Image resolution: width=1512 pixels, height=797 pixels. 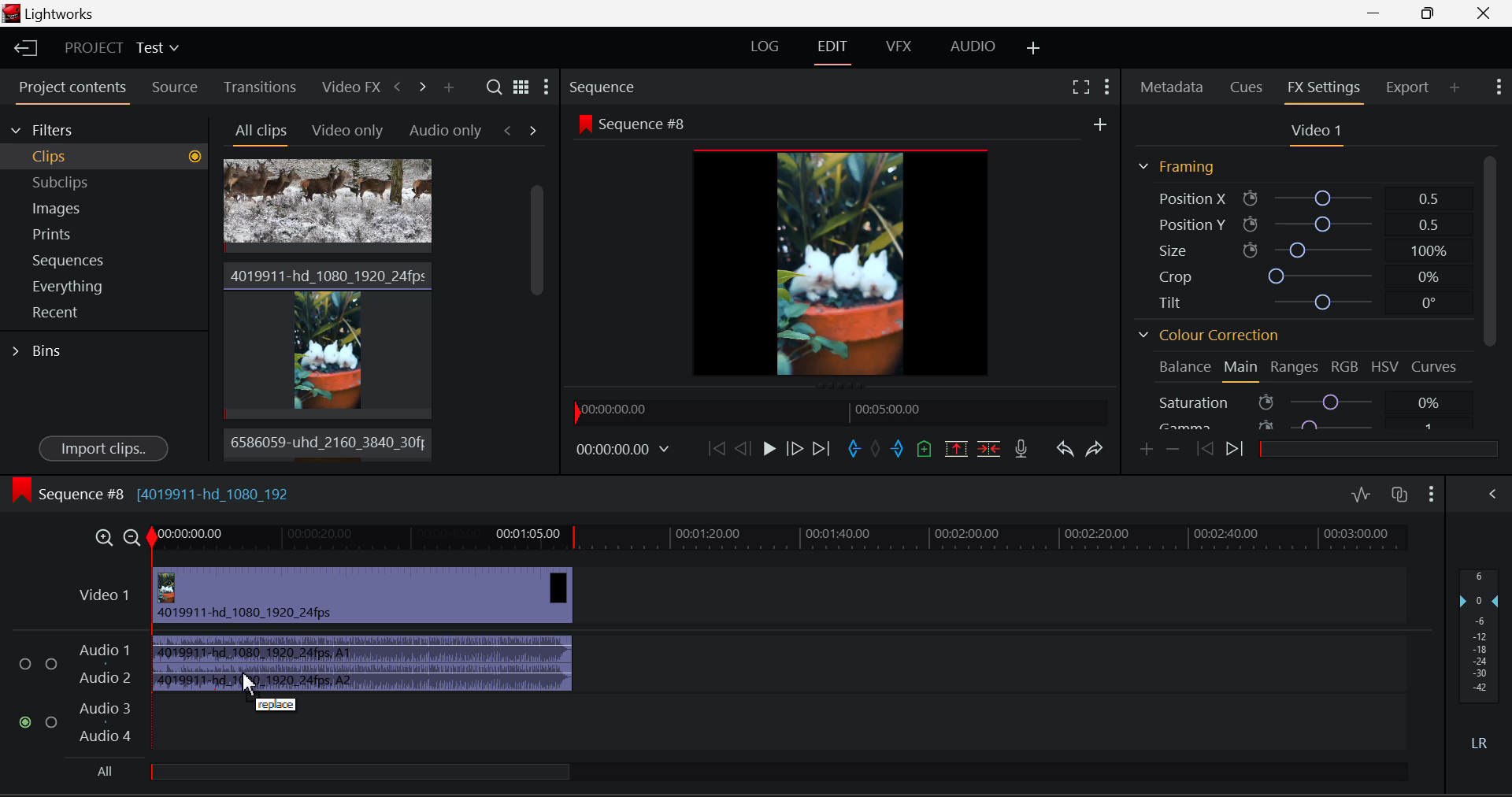 What do you see at coordinates (493, 87) in the screenshot?
I see `Search` at bounding box center [493, 87].